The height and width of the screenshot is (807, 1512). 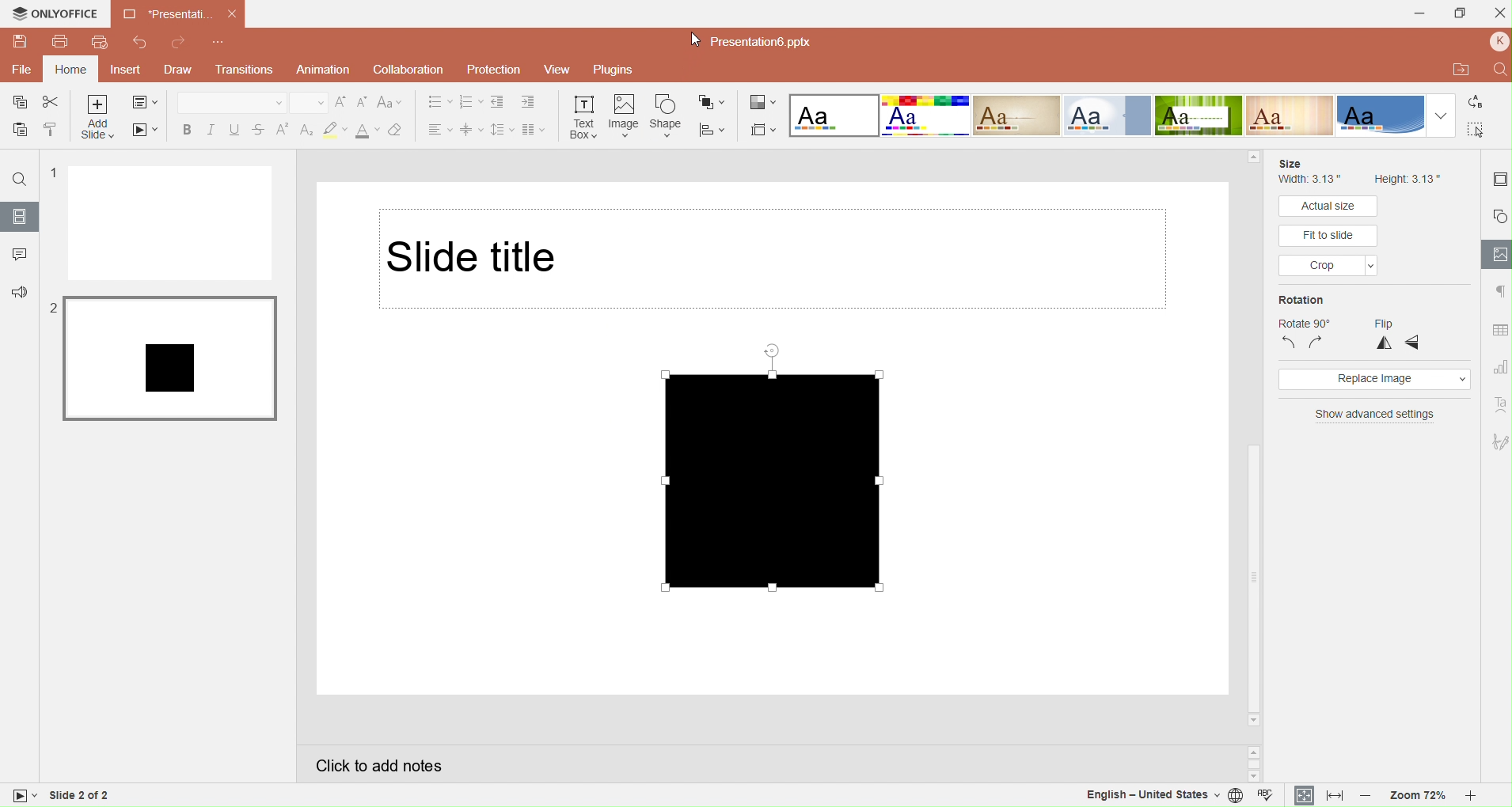 What do you see at coordinates (1497, 404) in the screenshot?
I see `Text ART setting` at bounding box center [1497, 404].